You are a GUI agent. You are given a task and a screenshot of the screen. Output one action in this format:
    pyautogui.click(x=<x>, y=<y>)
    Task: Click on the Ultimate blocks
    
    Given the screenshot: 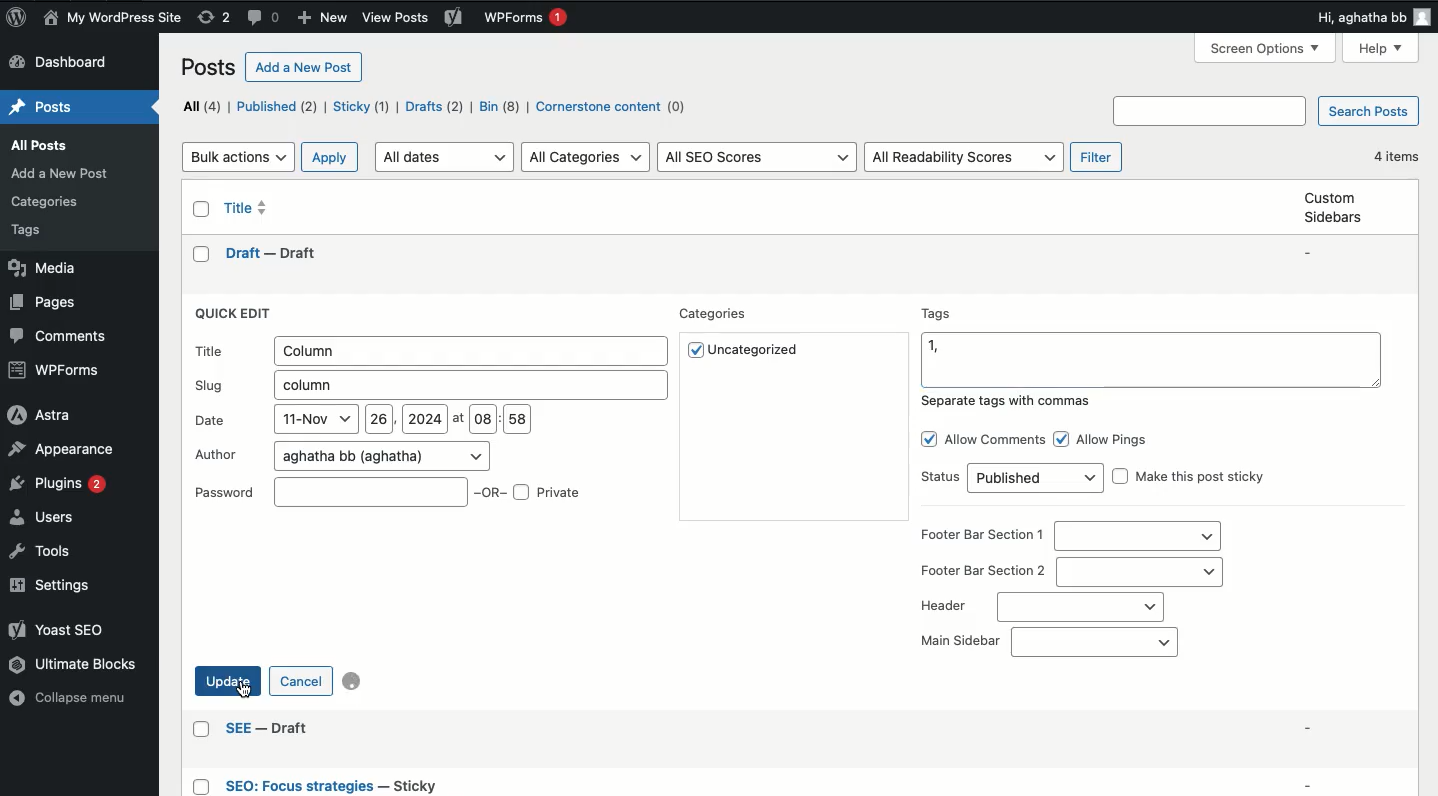 What is the action you would take?
    pyautogui.click(x=71, y=668)
    